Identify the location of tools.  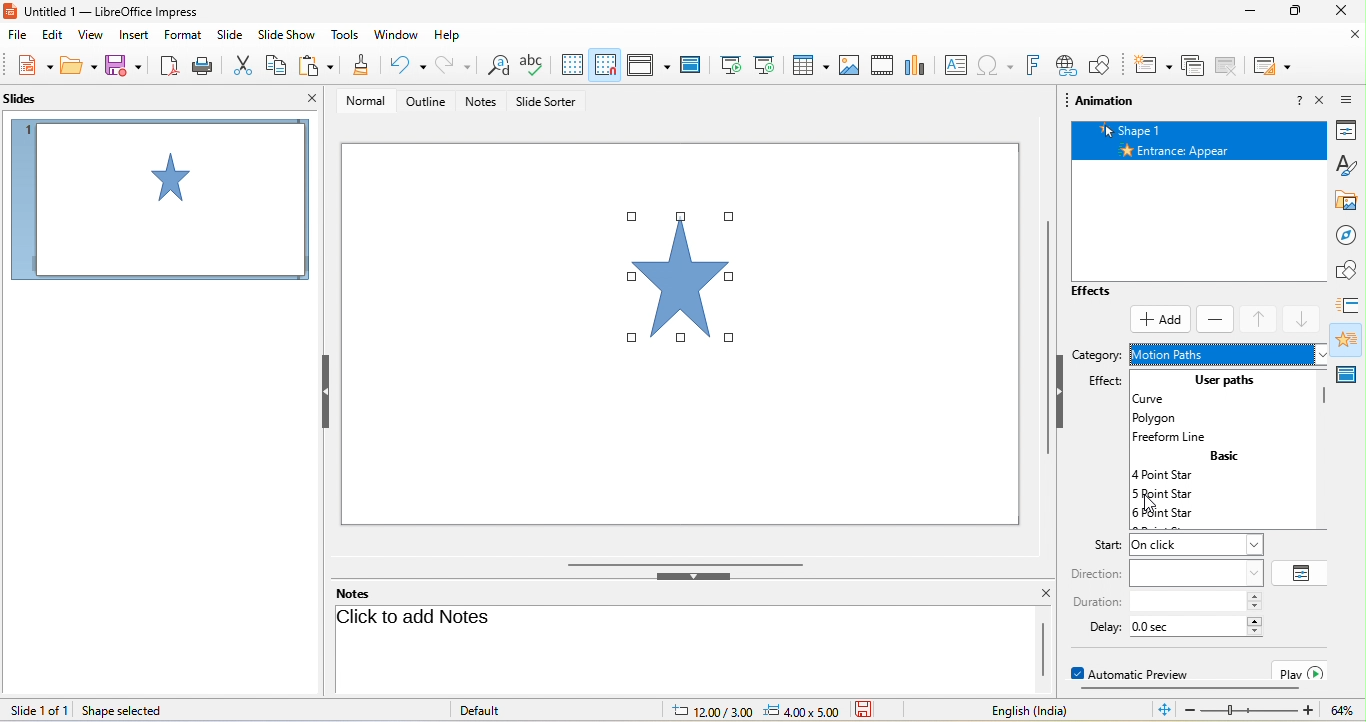
(344, 36).